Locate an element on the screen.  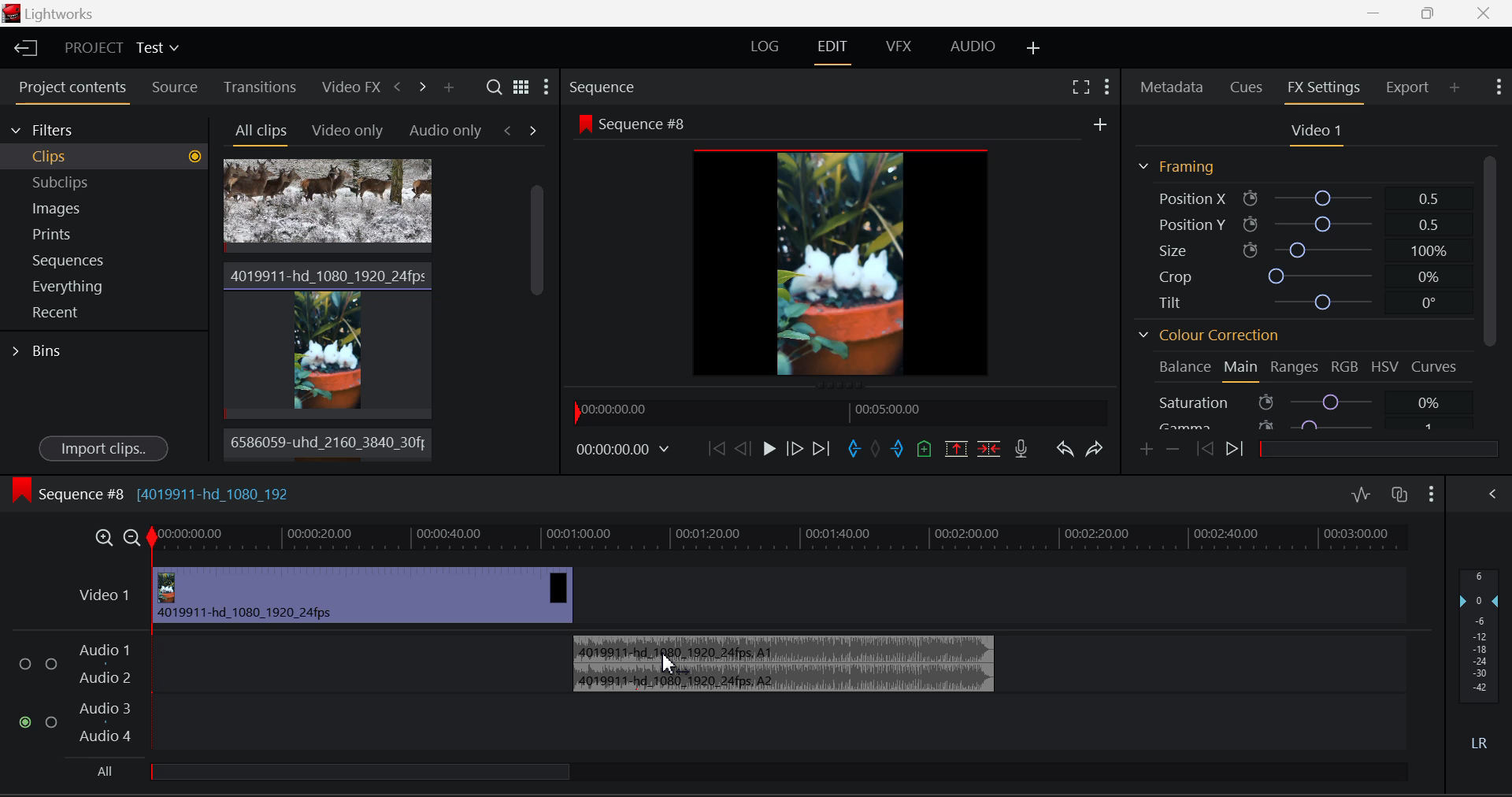
Add Panel is located at coordinates (1455, 89).